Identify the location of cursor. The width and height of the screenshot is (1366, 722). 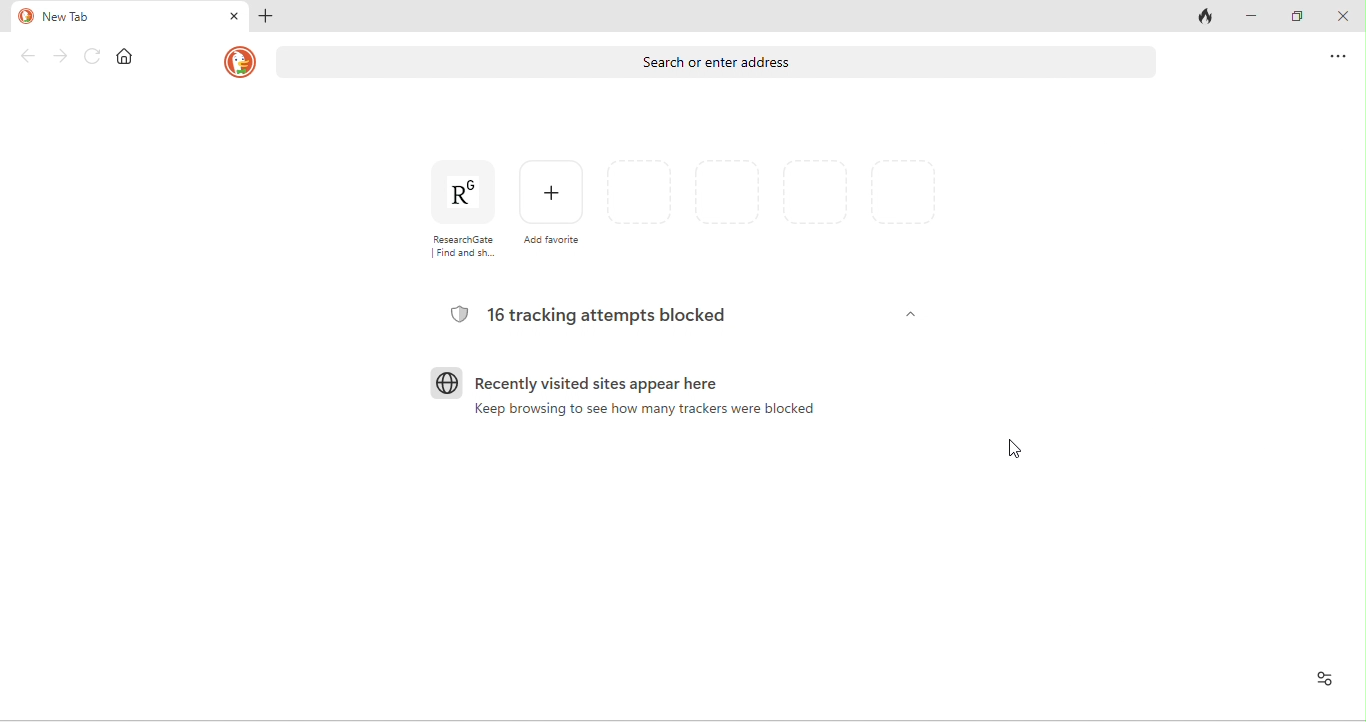
(1016, 449).